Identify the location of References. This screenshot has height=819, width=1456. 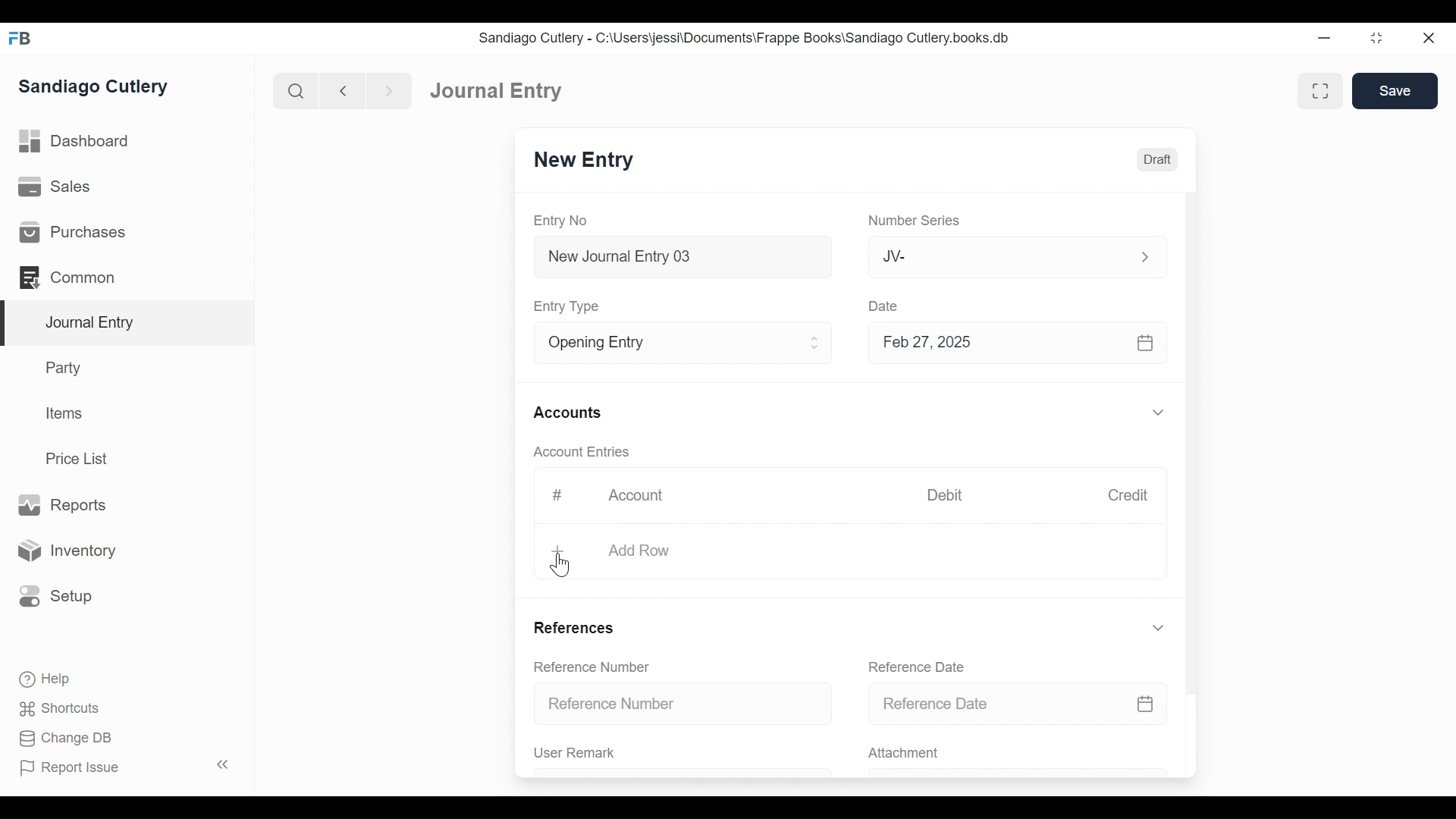
(576, 629).